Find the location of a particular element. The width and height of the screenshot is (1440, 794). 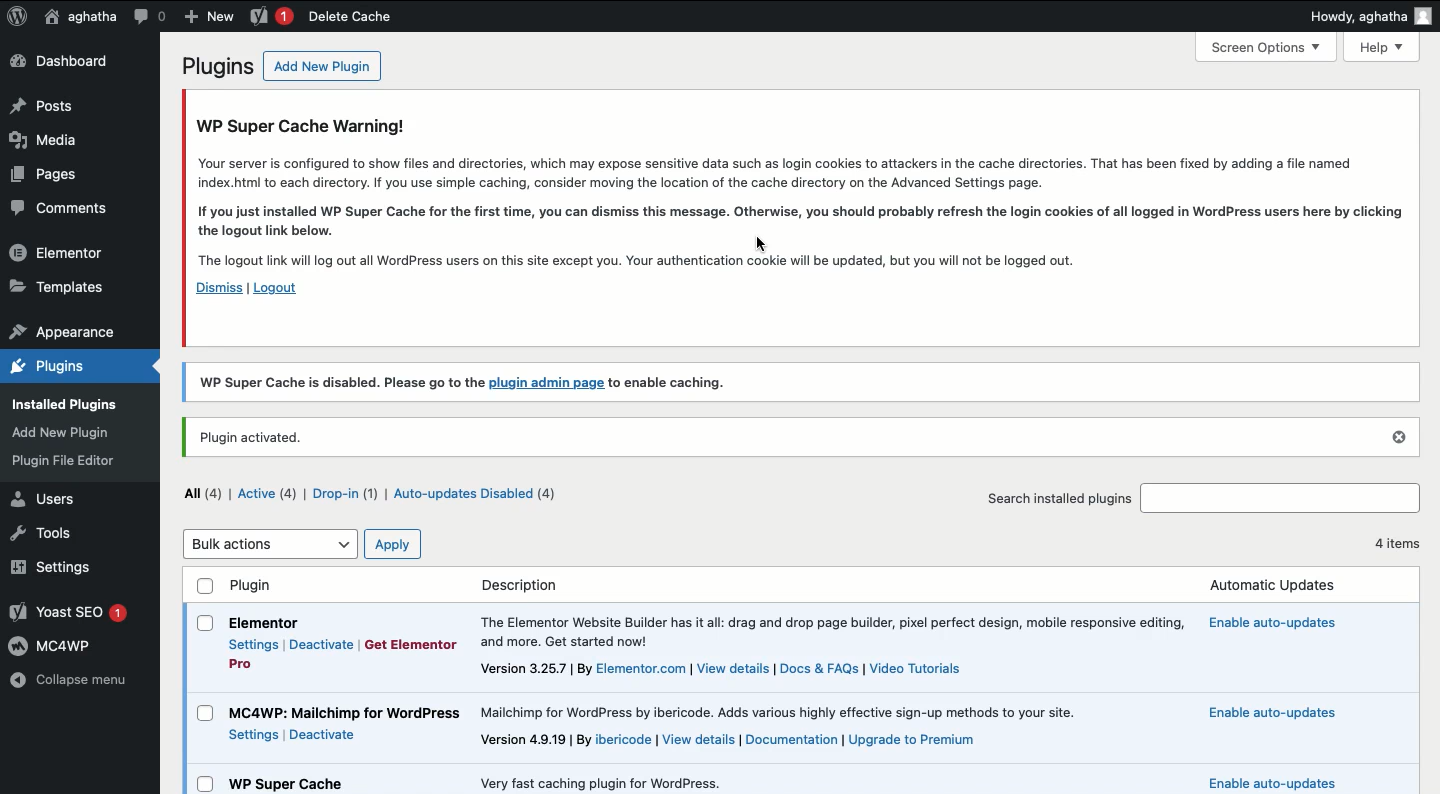

Automatic updates is located at coordinates (1279, 588).